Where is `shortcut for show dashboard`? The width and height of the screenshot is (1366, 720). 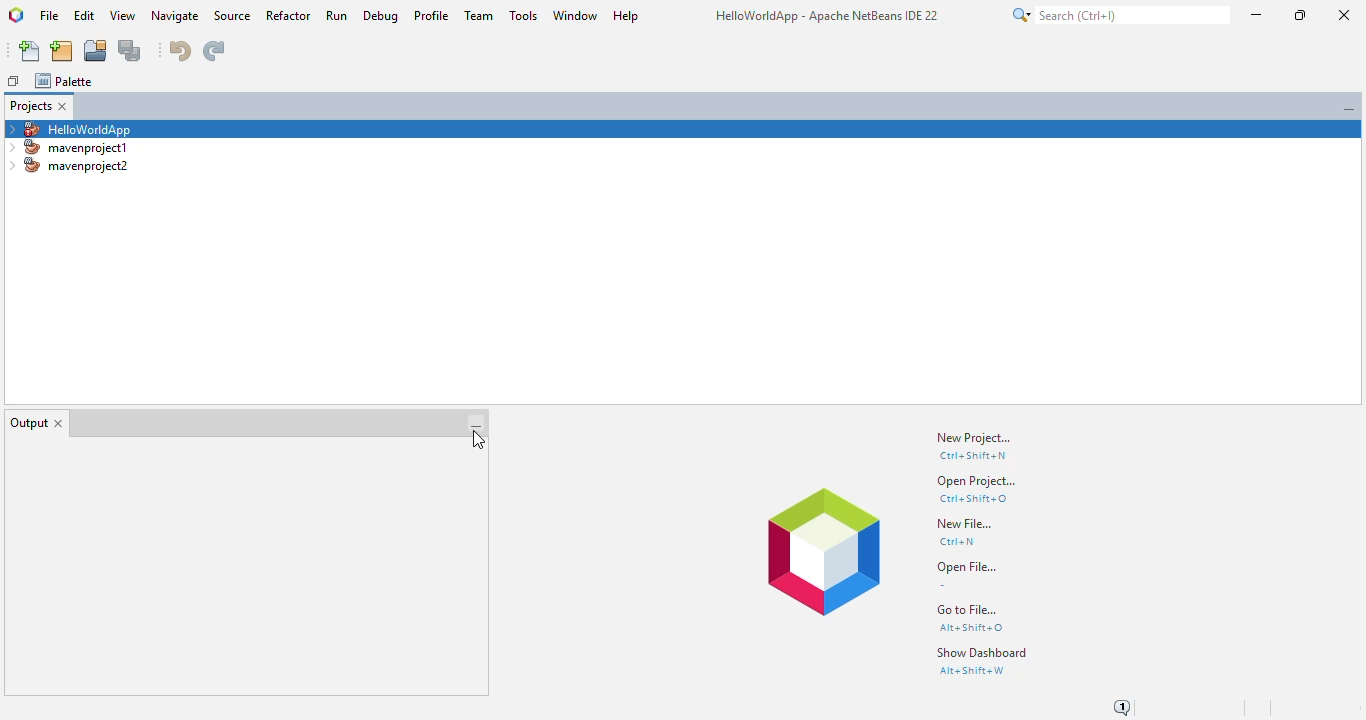 shortcut for show dashboard is located at coordinates (972, 671).